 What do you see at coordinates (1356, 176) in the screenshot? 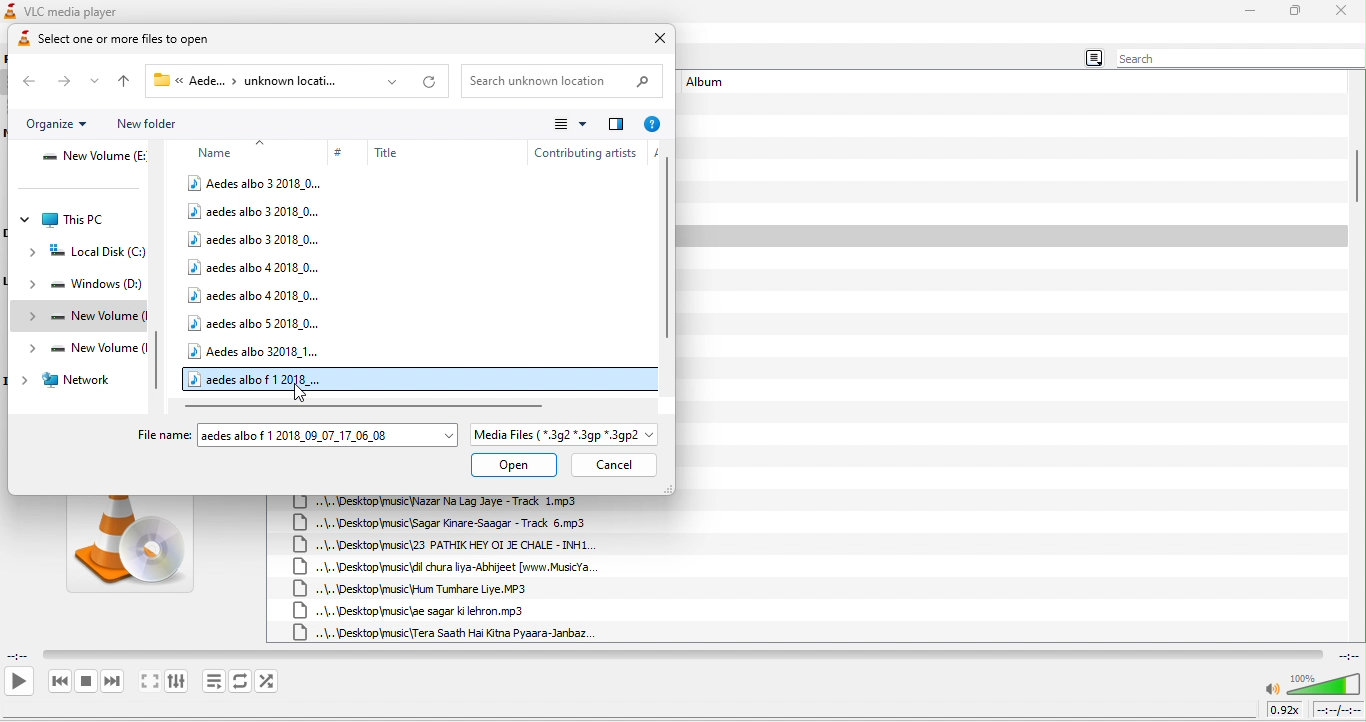
I see `vertical scroll bar` at bounding box center [1356, 176].